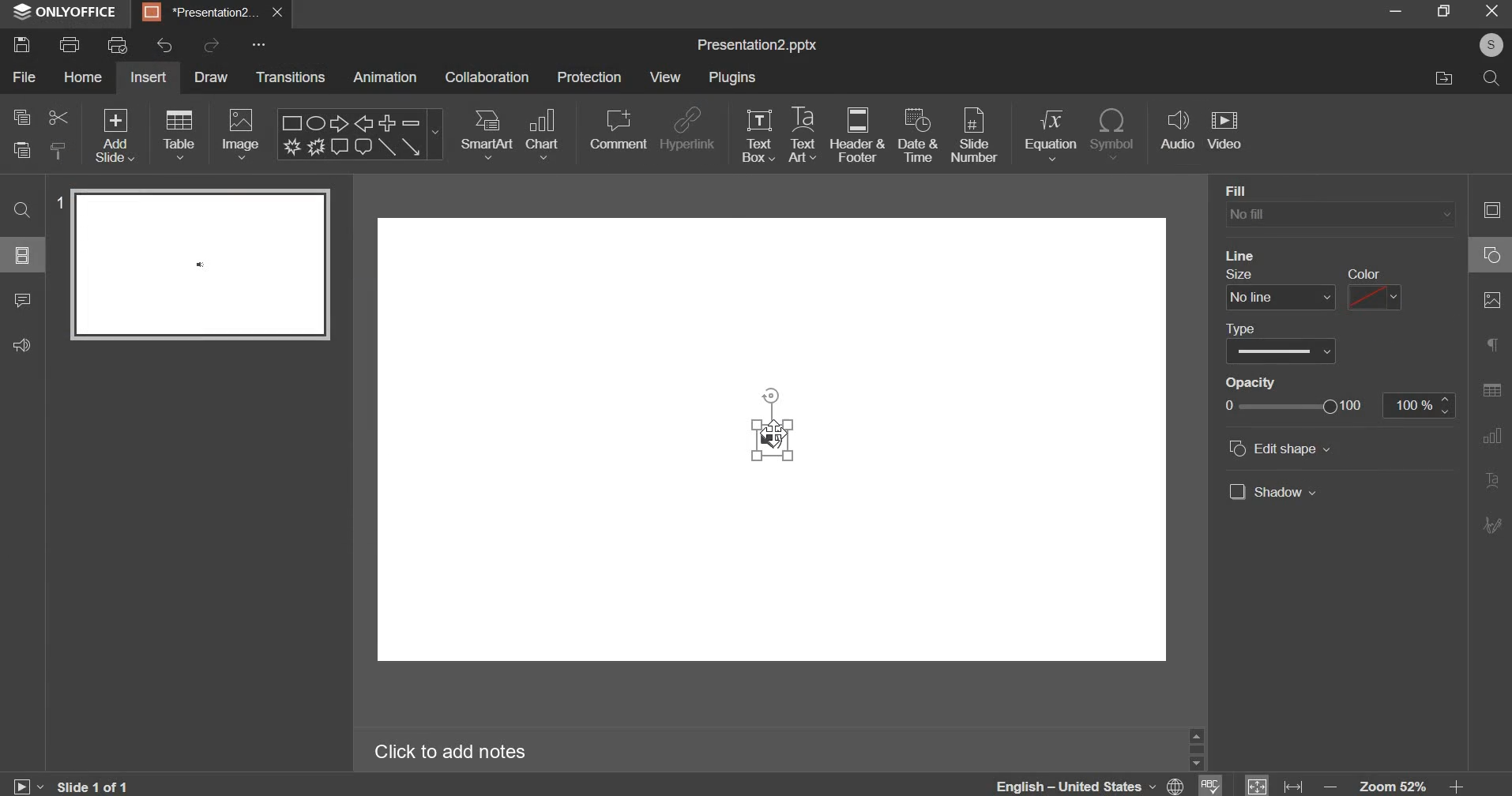 The height and width of the screenshot is (796, 1512). What do you see at coordinates (773, 440) in the screenshot?
I see `audio ` at bounding box center [773, 440].